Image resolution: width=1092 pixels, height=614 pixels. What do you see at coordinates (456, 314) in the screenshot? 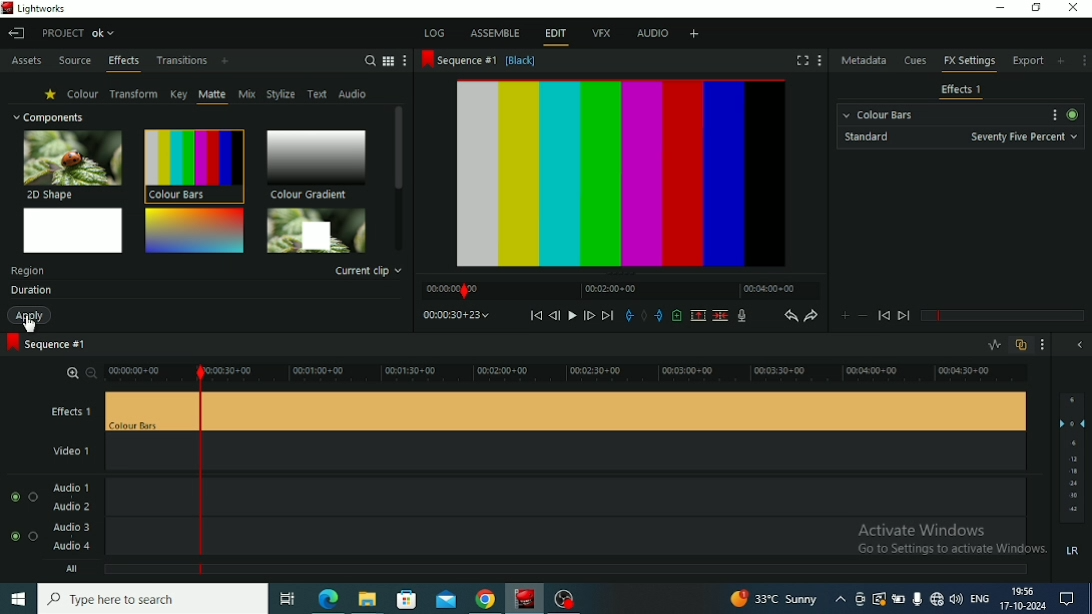
I see `Time` at bounding box center [456, 314].